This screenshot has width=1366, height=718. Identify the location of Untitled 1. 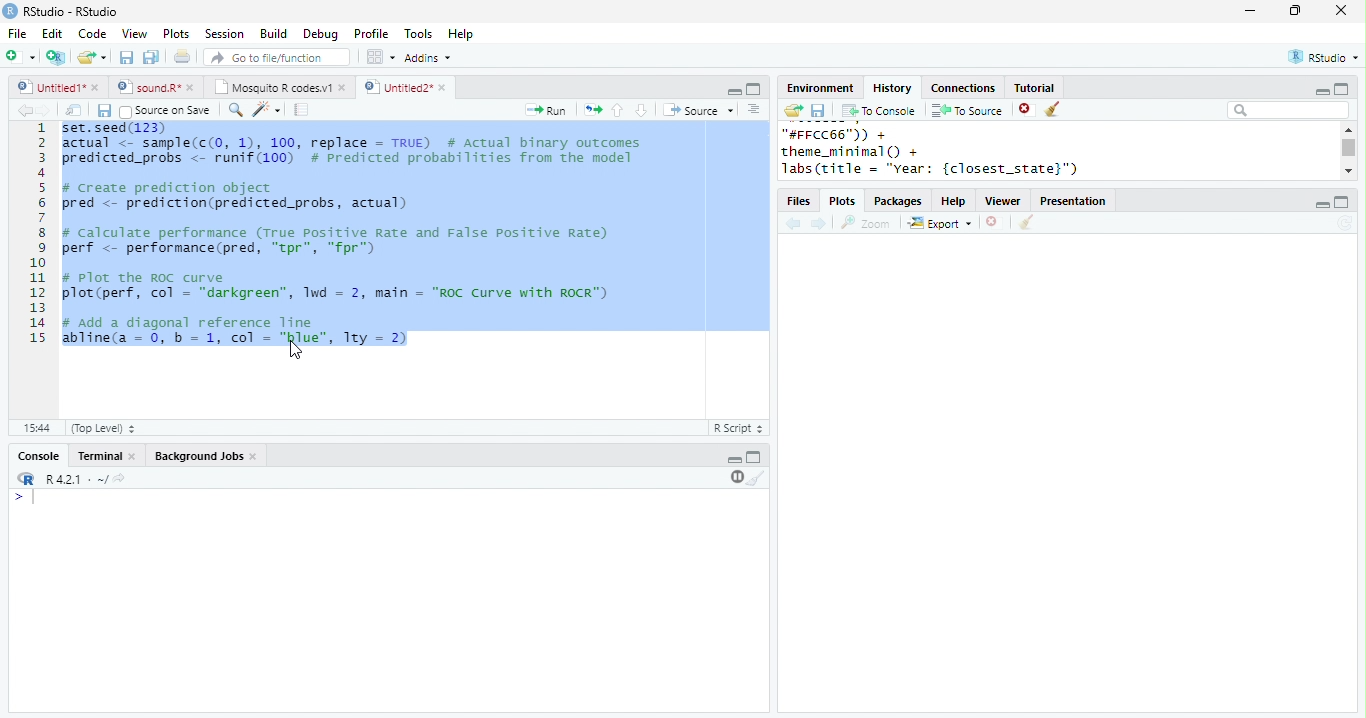
(48, 86).